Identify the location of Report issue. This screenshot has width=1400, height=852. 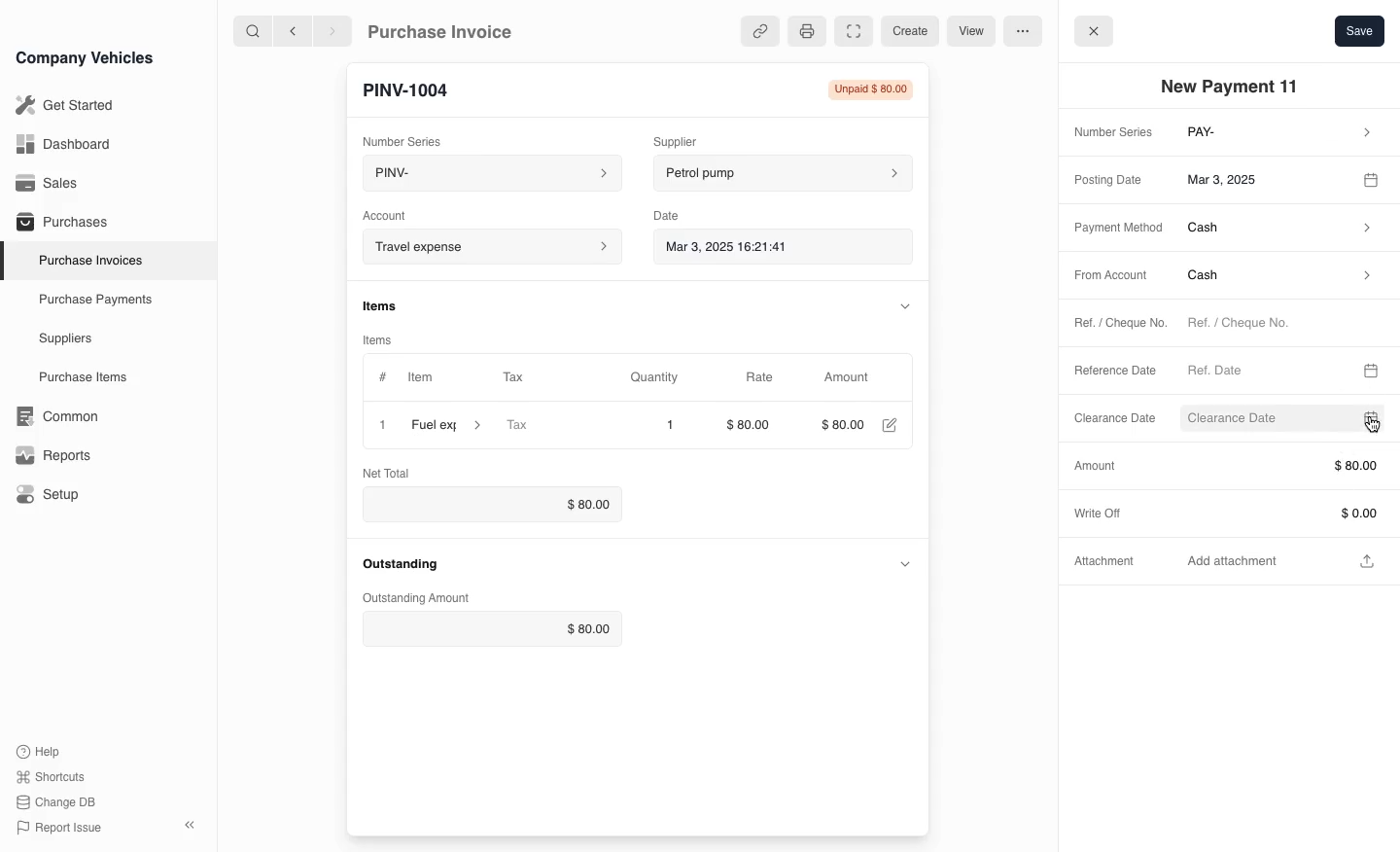
(62, 829).